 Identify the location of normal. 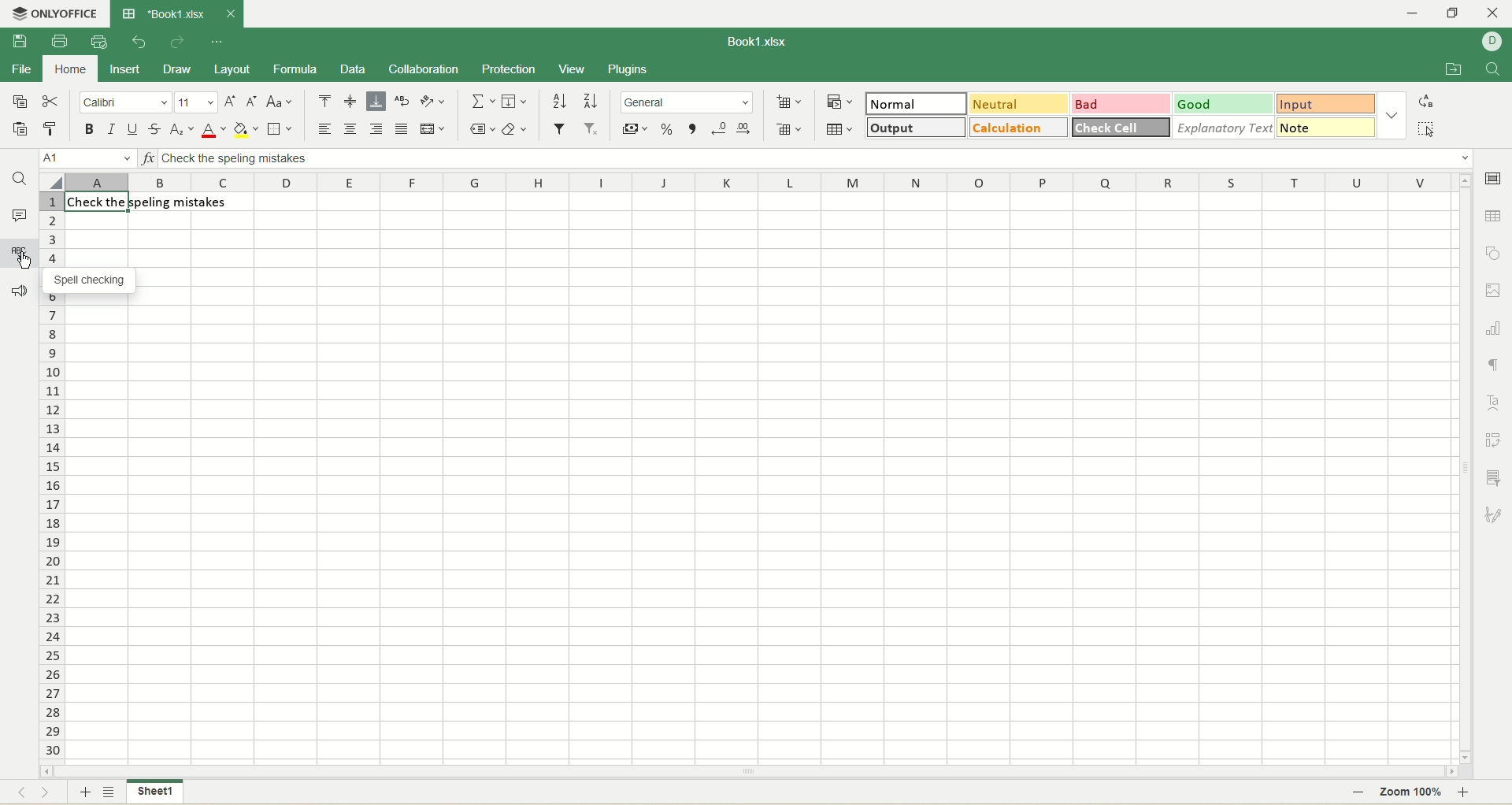
(914, 103).